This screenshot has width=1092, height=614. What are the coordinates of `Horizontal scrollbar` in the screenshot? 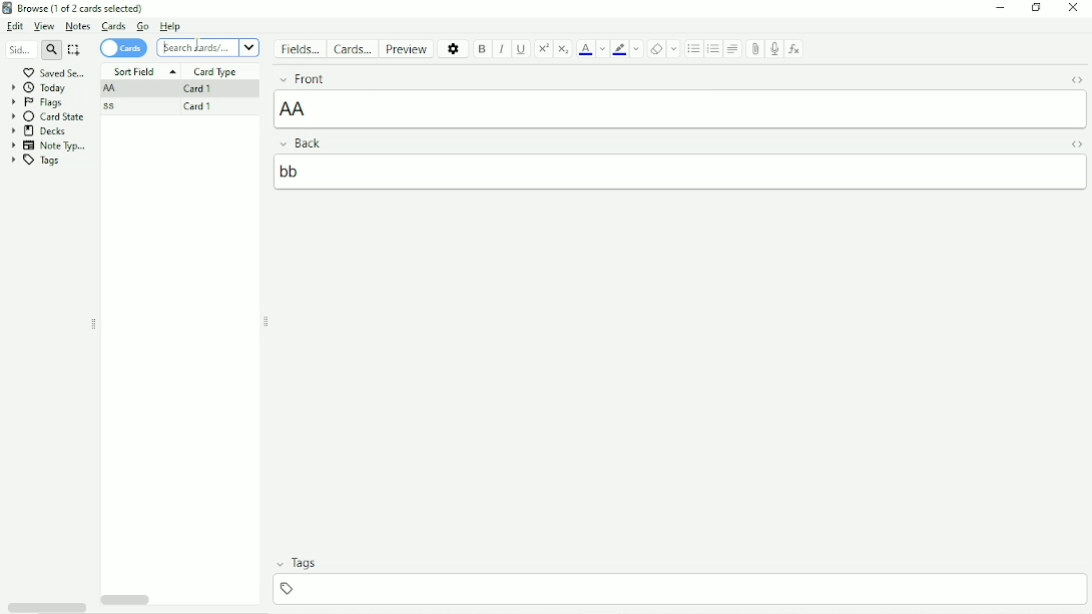 It's located at (125, 601).